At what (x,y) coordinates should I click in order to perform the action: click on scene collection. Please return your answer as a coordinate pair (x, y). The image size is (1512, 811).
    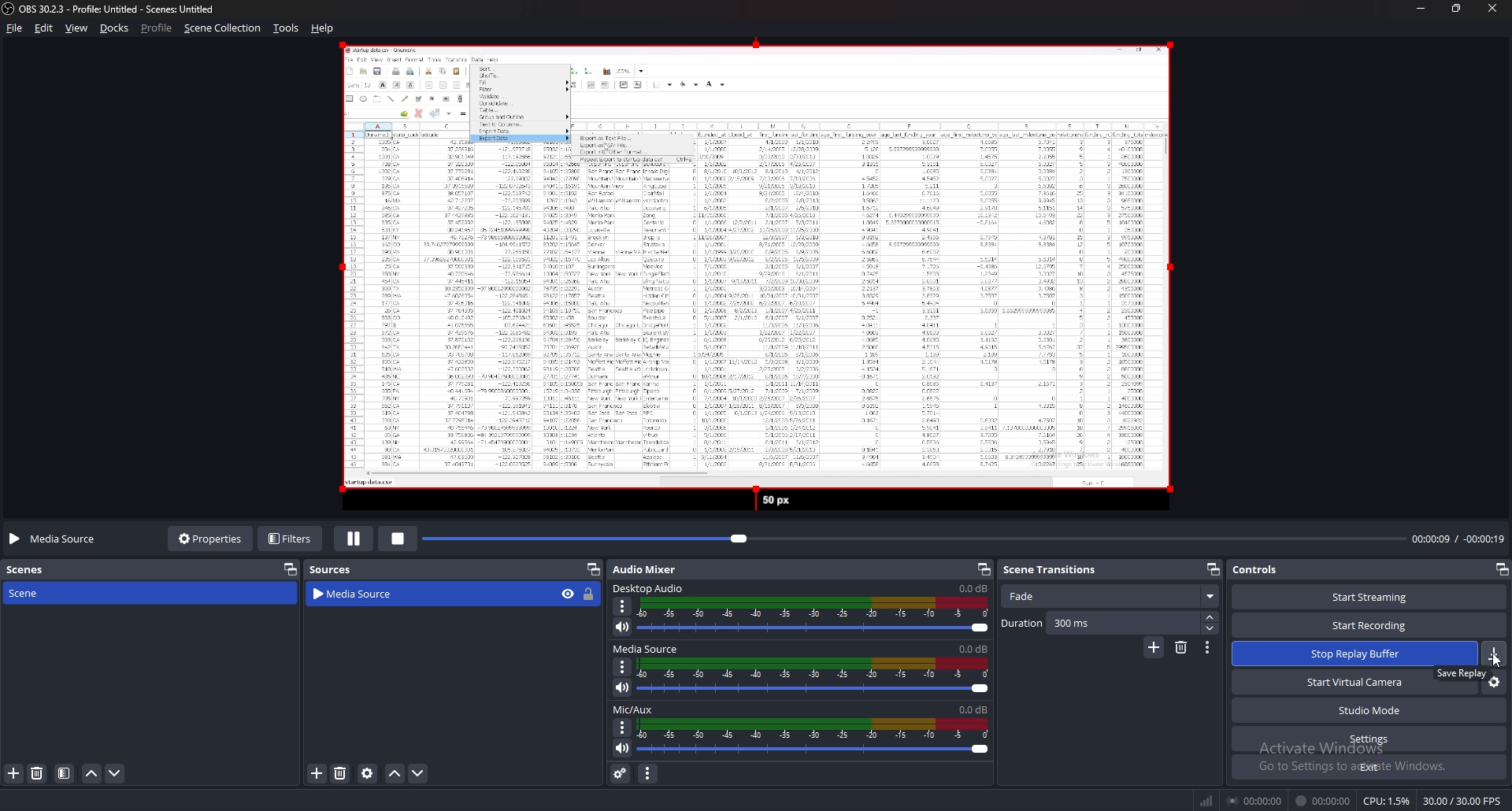
    Looking at the image, I should click on (222, 28).